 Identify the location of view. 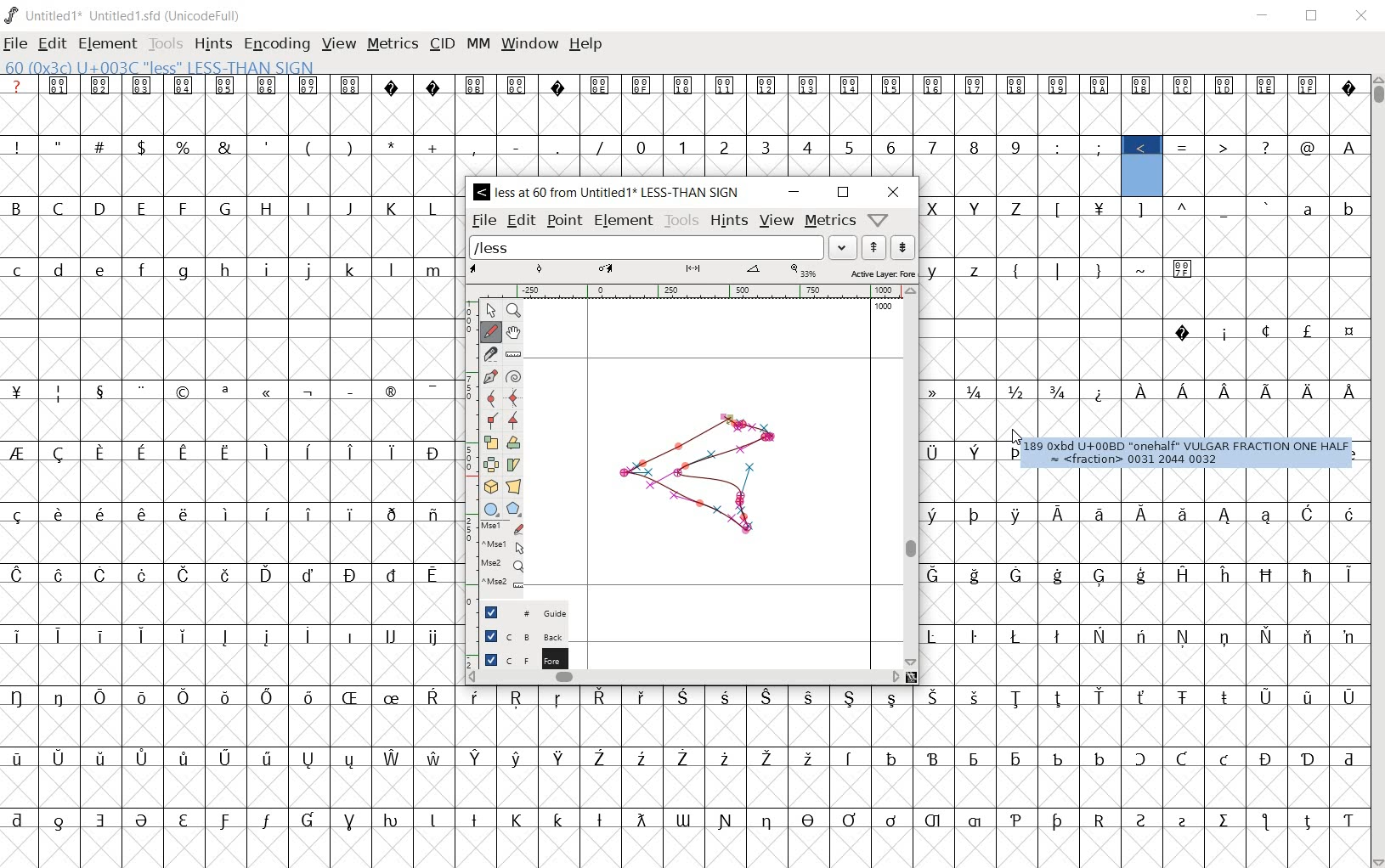
(777, 219).